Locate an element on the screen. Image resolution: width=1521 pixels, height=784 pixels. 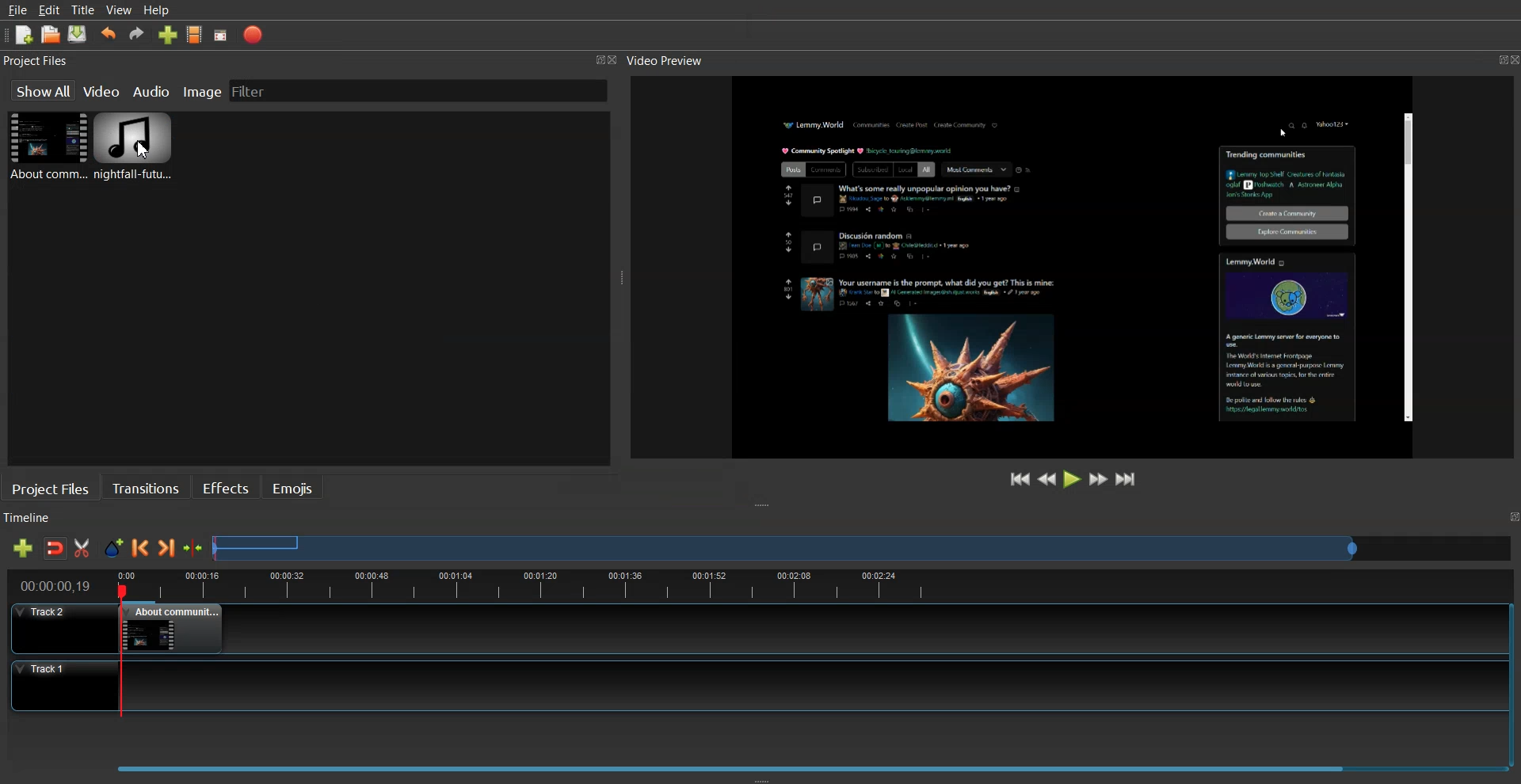
Jump to End is located at coordinates (1126, 478).